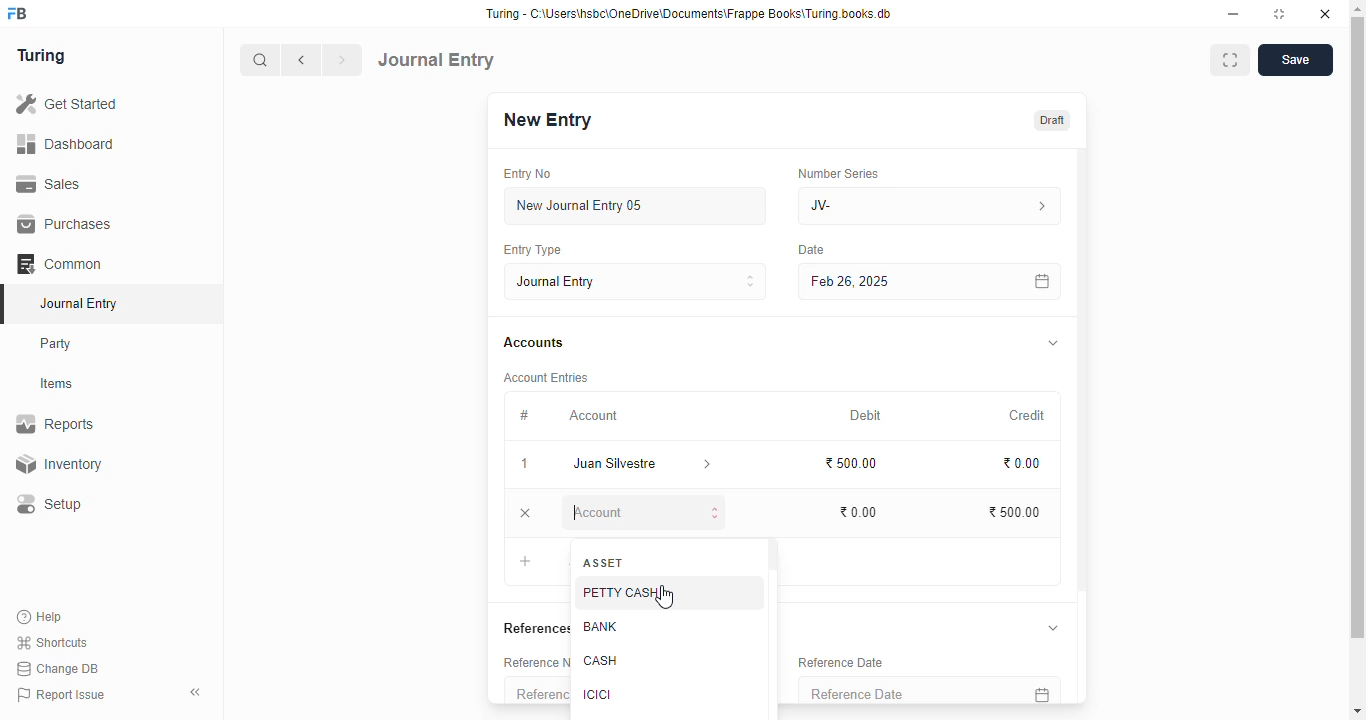 This screenshot has height=720, width=1366. Describe the element at coordinates (61, 695) in the screenshot. I see `report issue` at that location.